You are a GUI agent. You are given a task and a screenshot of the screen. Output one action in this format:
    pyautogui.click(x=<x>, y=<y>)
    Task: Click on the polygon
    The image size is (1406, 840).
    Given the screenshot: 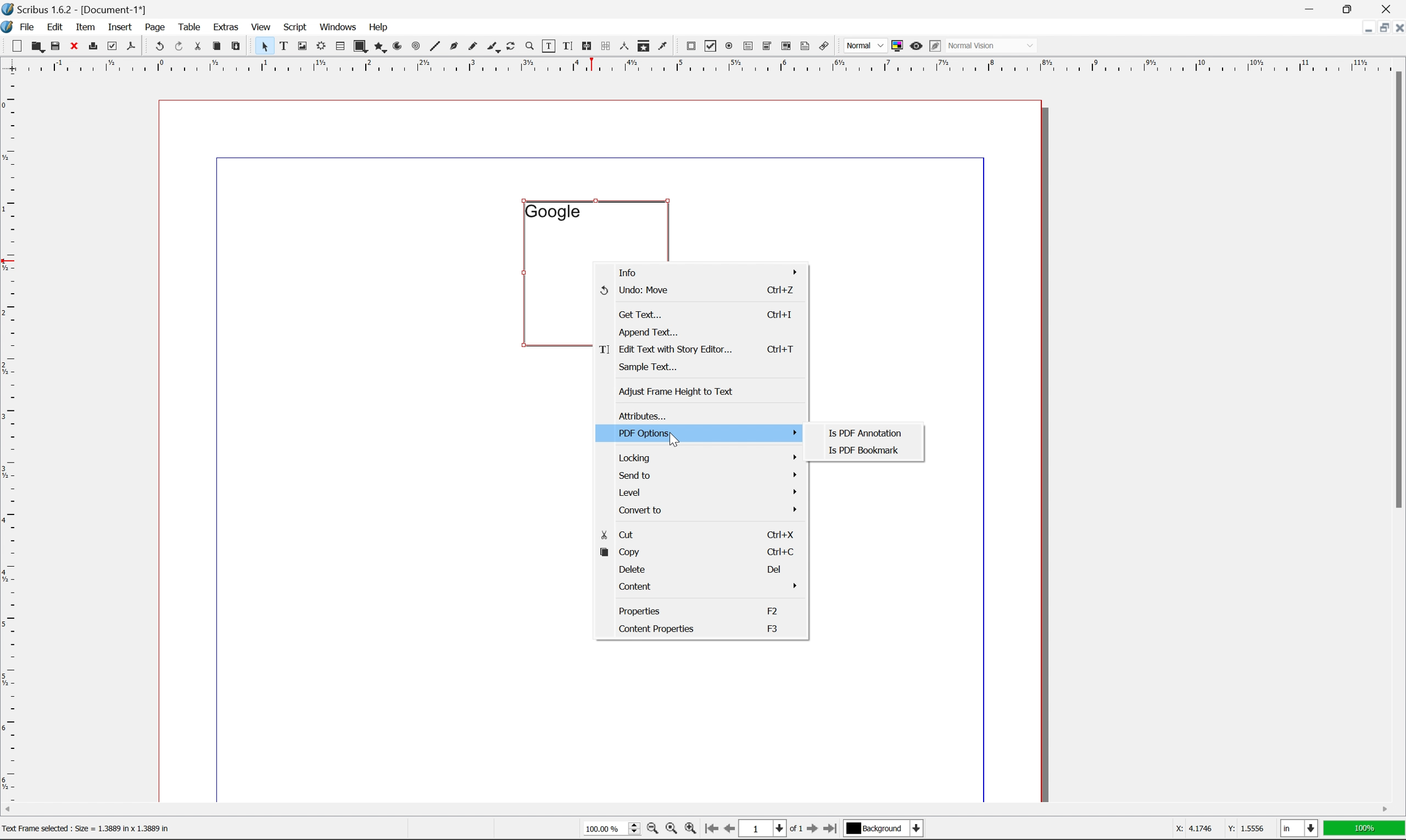 What is the action you would take?
    pyautogui.click(x=381, y=48)
    